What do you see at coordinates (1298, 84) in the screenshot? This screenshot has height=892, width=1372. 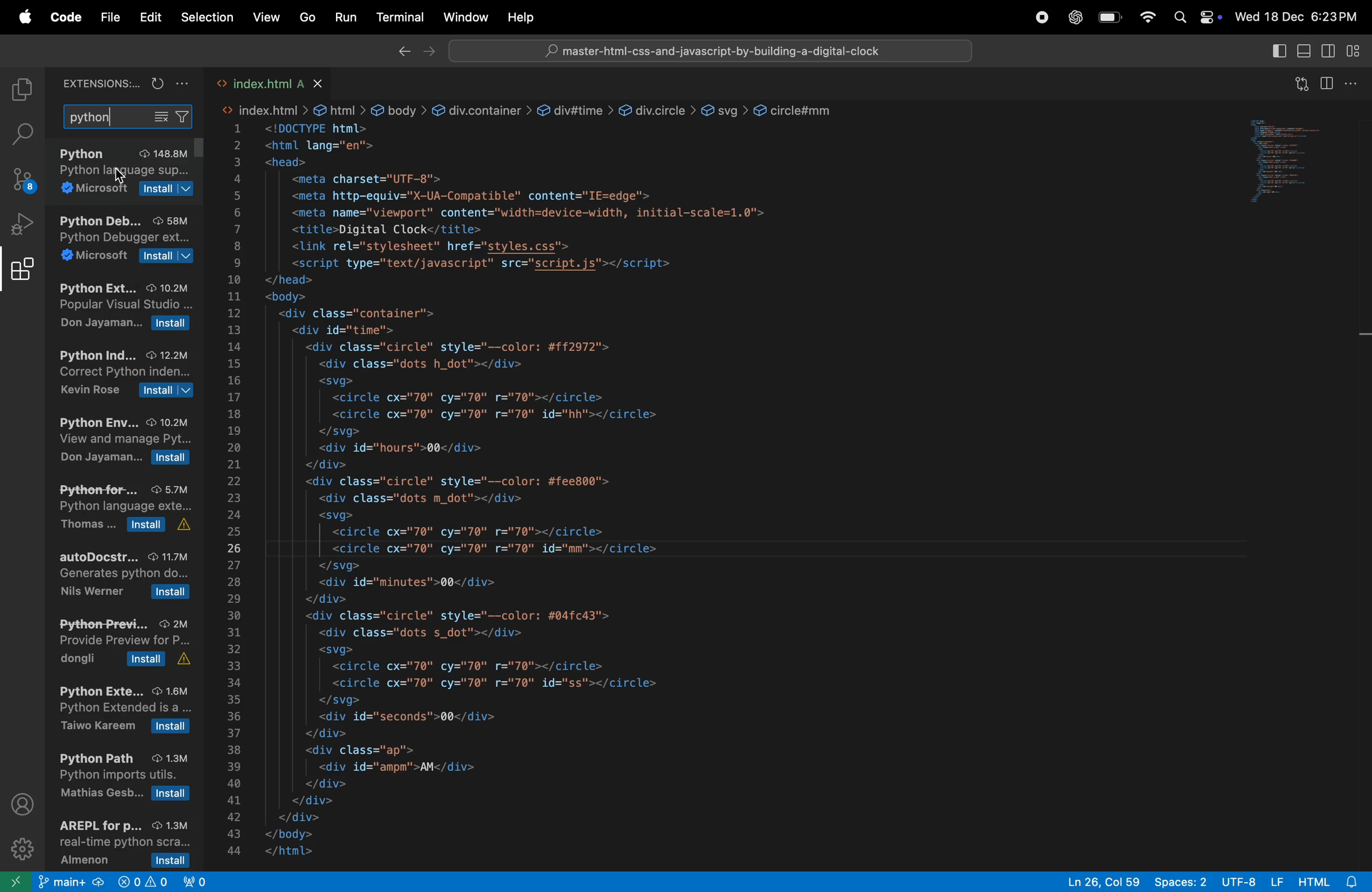 I see `open changes` at bounding box center [1298, 84].